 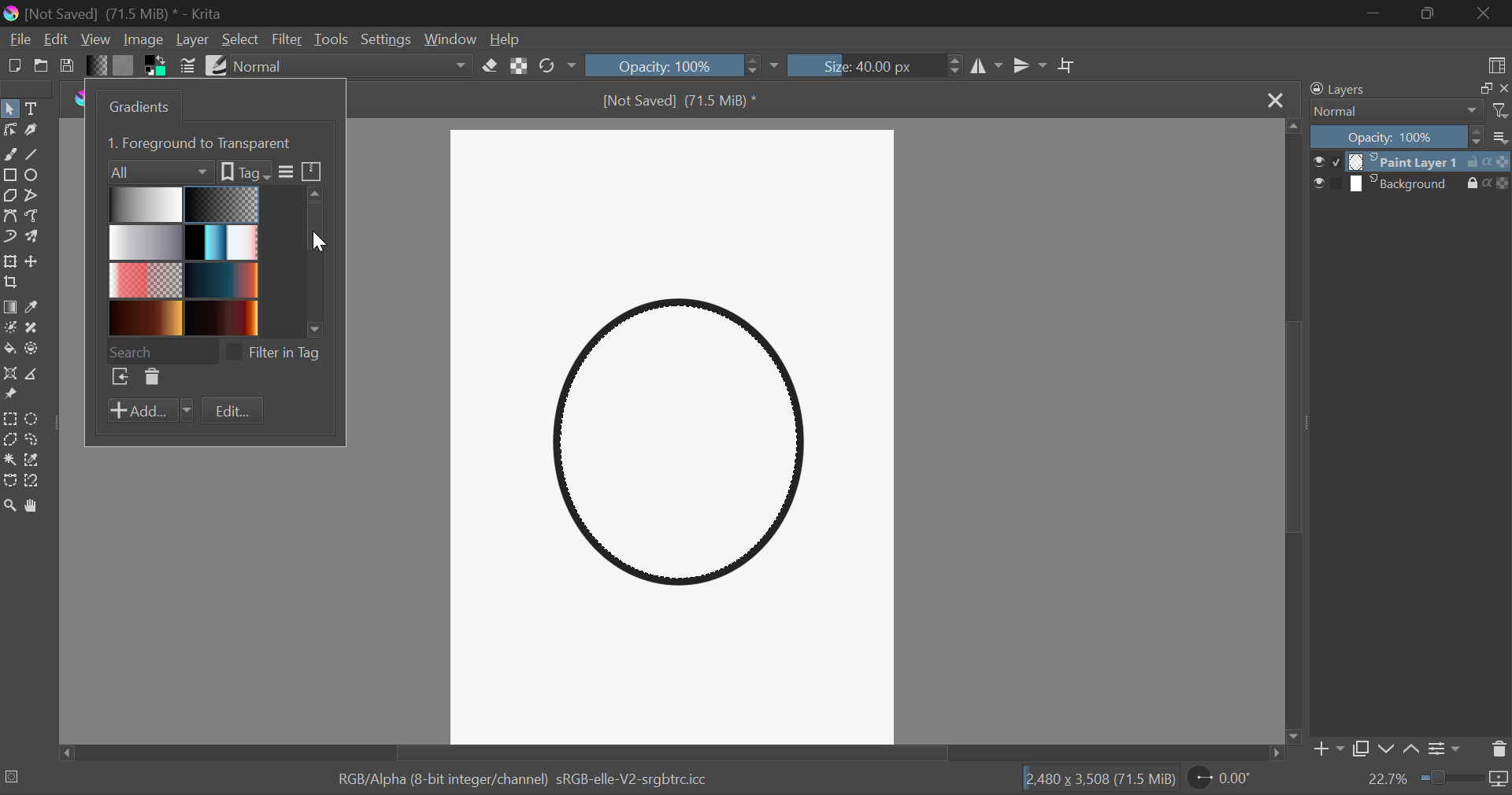 What do you see at coordinates (36, 198) in the screenshot?
I see `Polyline` at bounding box center [36, 198].